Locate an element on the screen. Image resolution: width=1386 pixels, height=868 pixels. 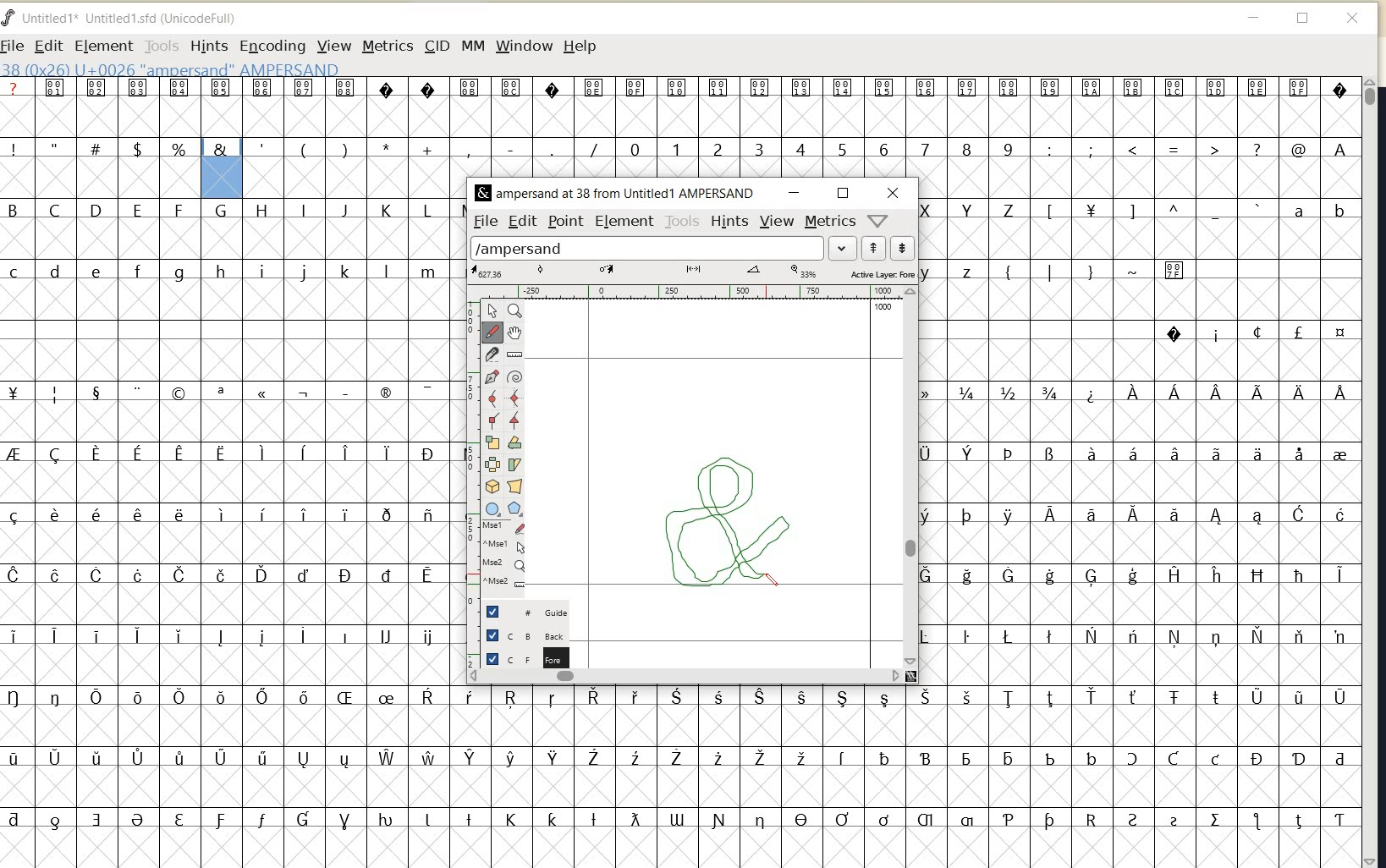
POINT is located at coordinates (568, 222).